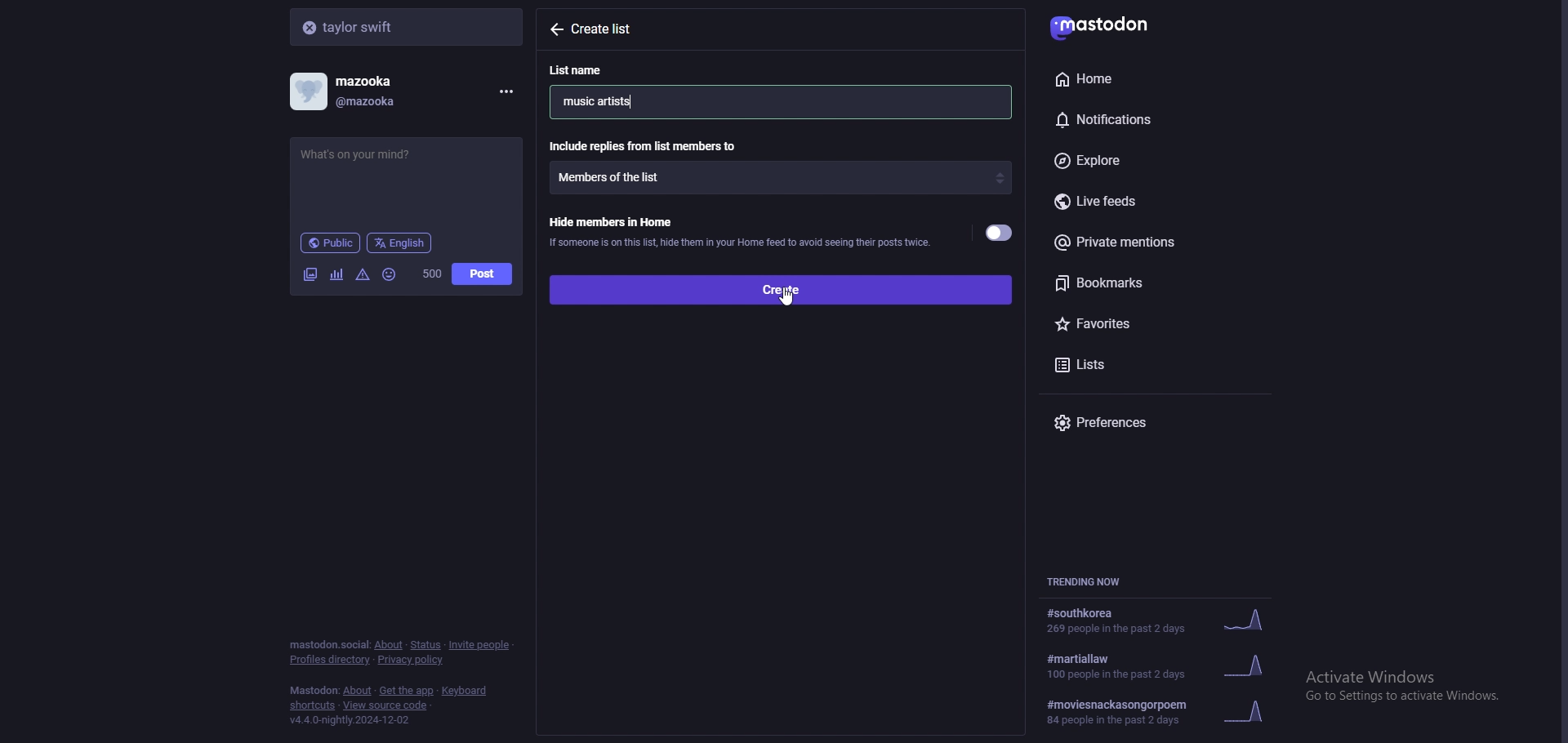 The width and height of the screenshot is (1568, 743). What do you see at coordinates (314, 691) in the screenshot?
I see `mastodon` at bounding box center [314, 691].